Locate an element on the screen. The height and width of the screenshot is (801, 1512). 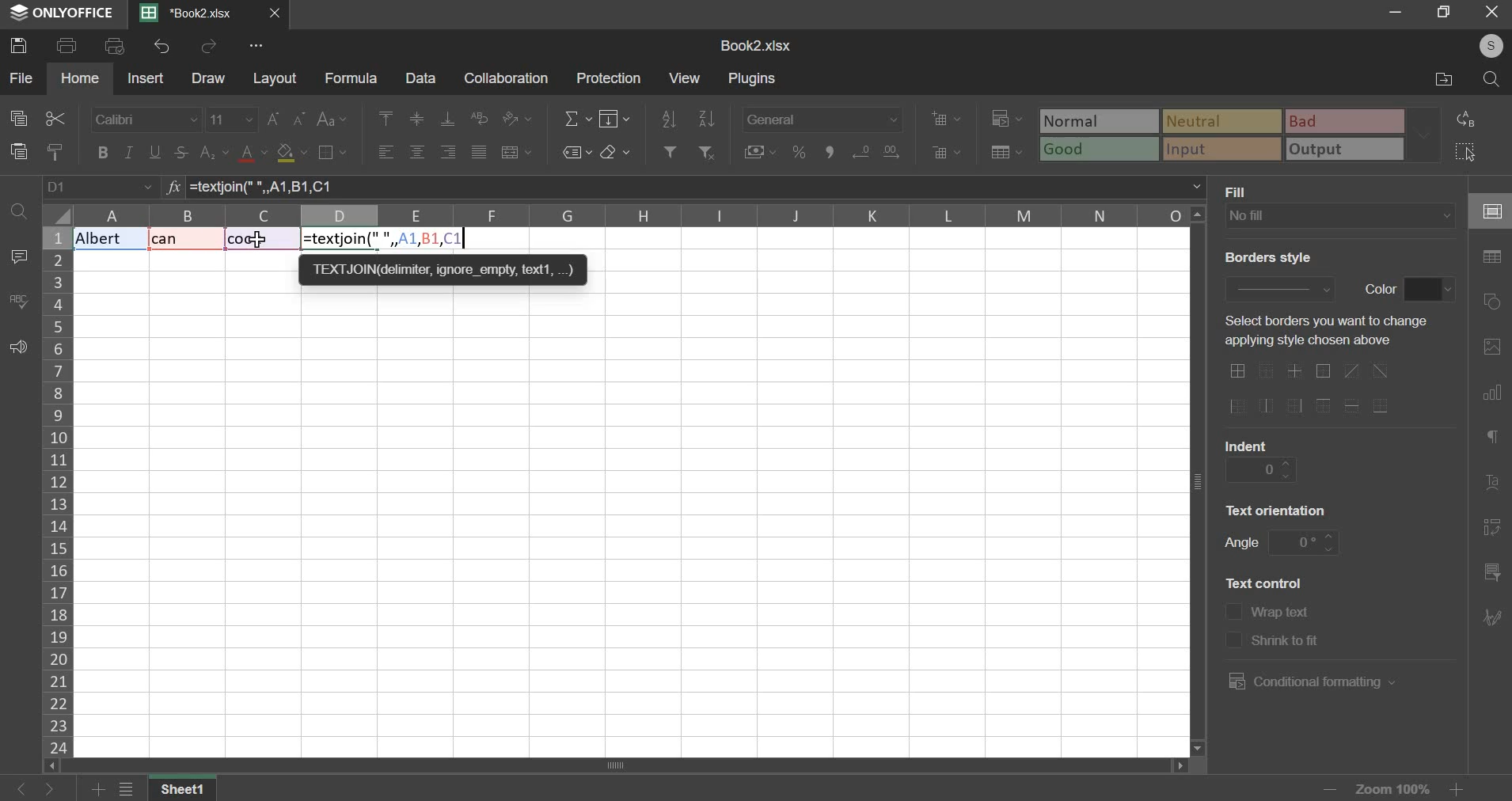
add sheets is located at coordinates (98, 790).